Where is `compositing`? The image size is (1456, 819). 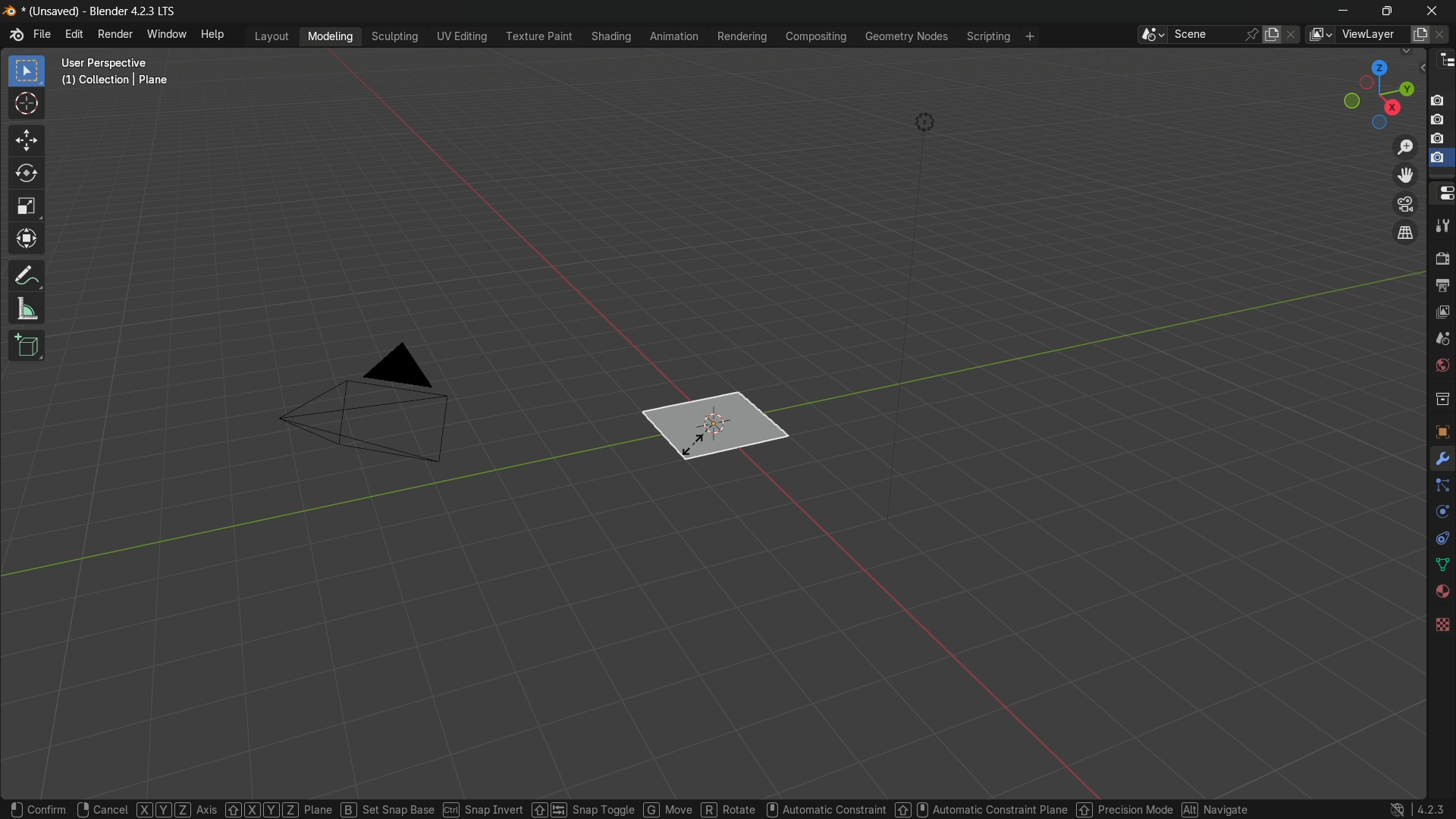
compositing is located at coordinates (815, 37).